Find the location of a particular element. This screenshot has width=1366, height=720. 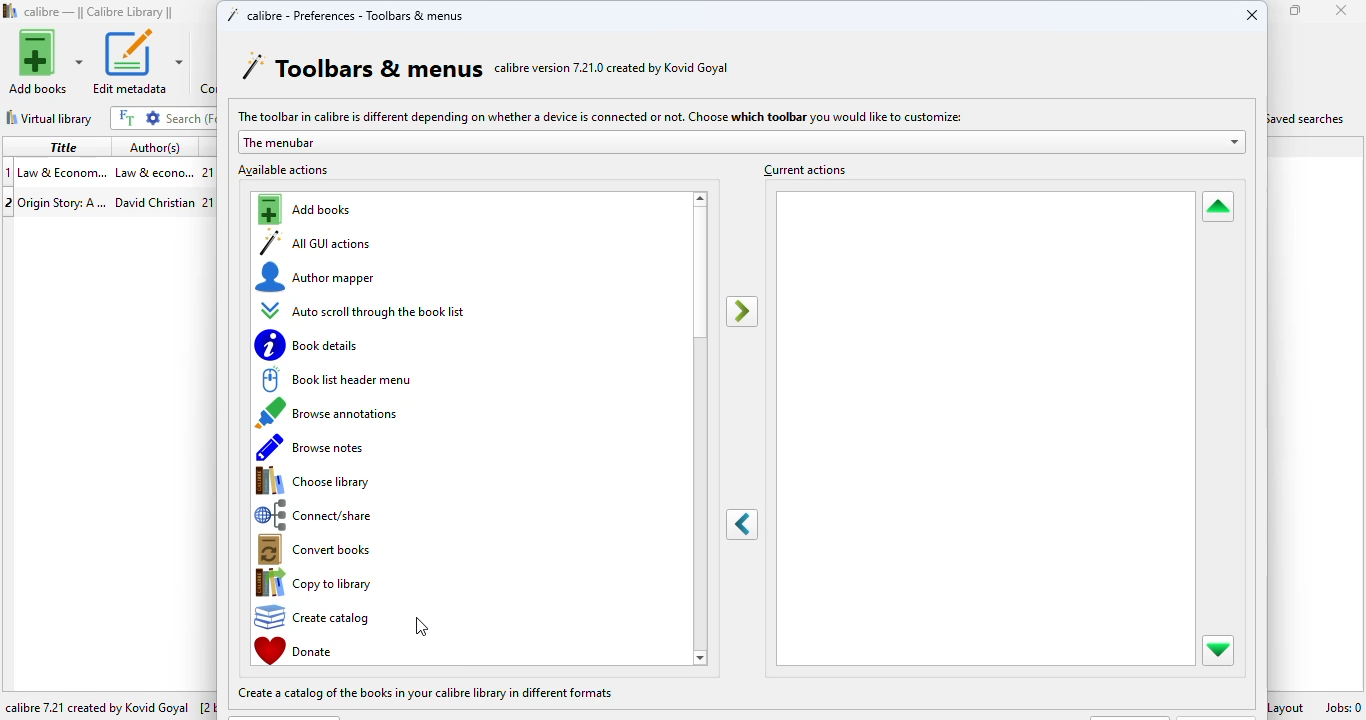

add books is located at coordinates (308, 210).